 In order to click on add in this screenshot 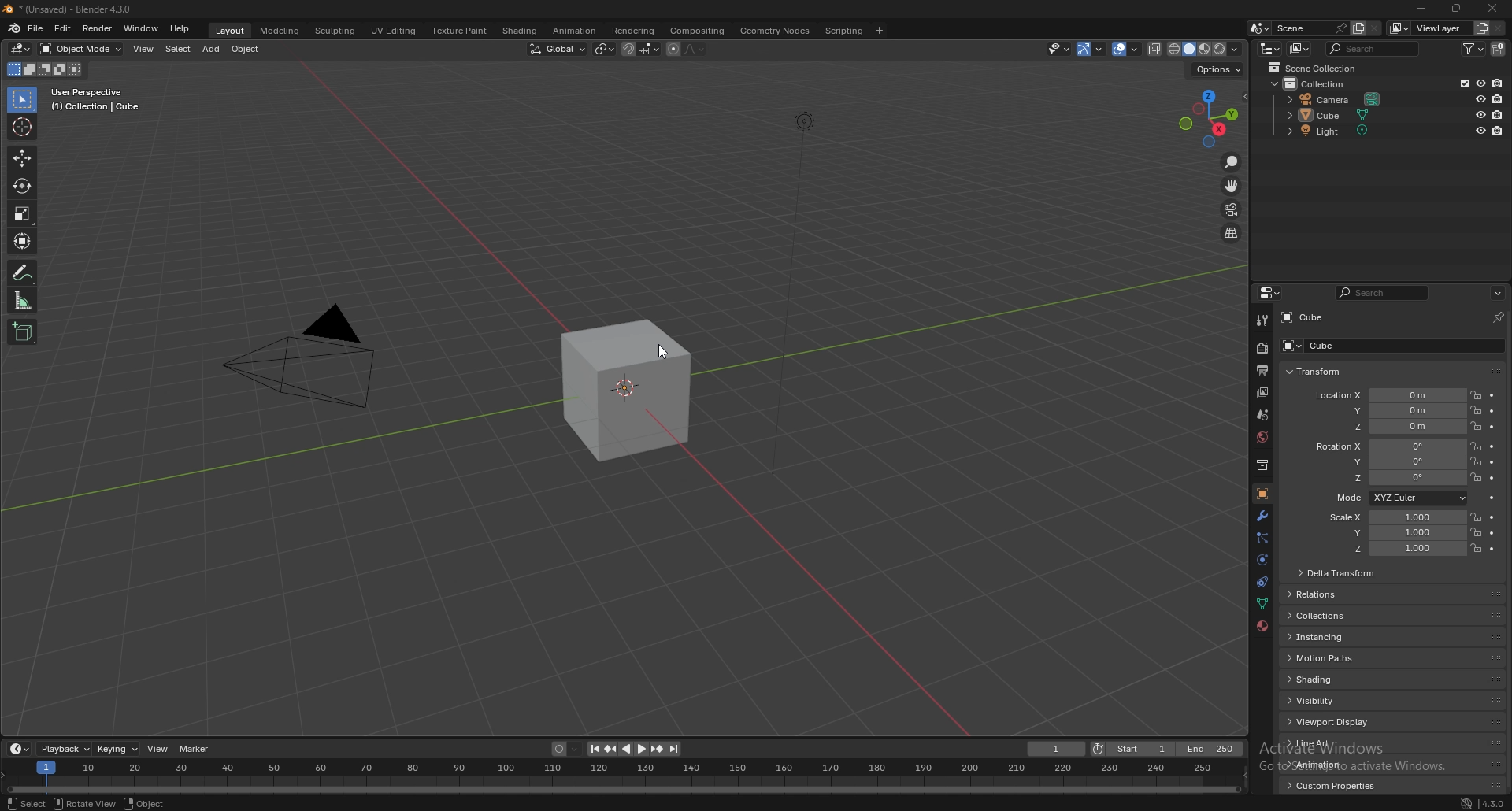, I will do `click(212, 49)`.